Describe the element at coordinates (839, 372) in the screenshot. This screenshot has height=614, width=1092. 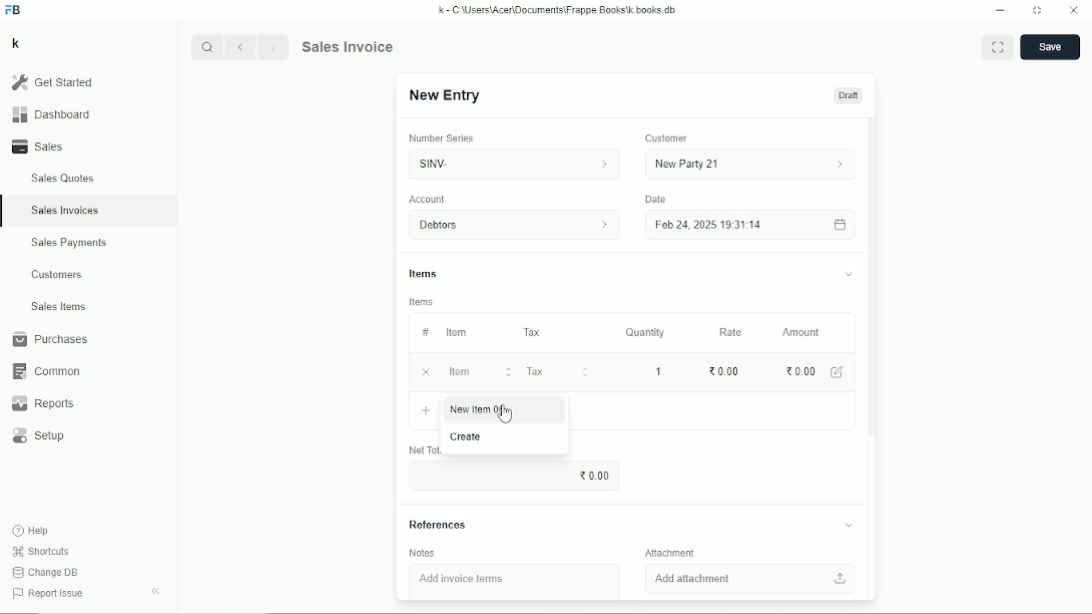
I see `Edit` at that location.